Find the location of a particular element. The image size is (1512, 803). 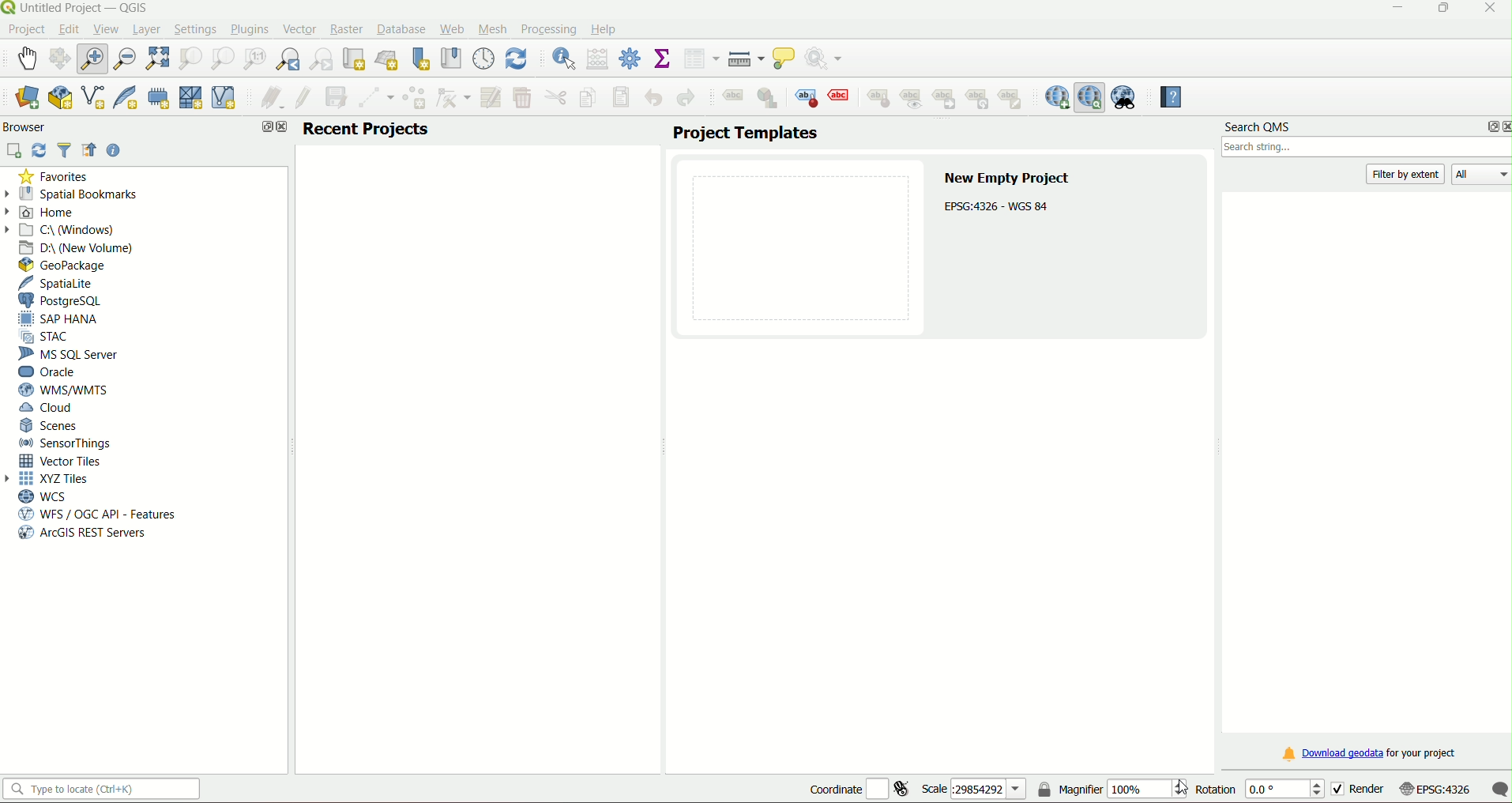

open field calculator is located at coordinates (598, 58).